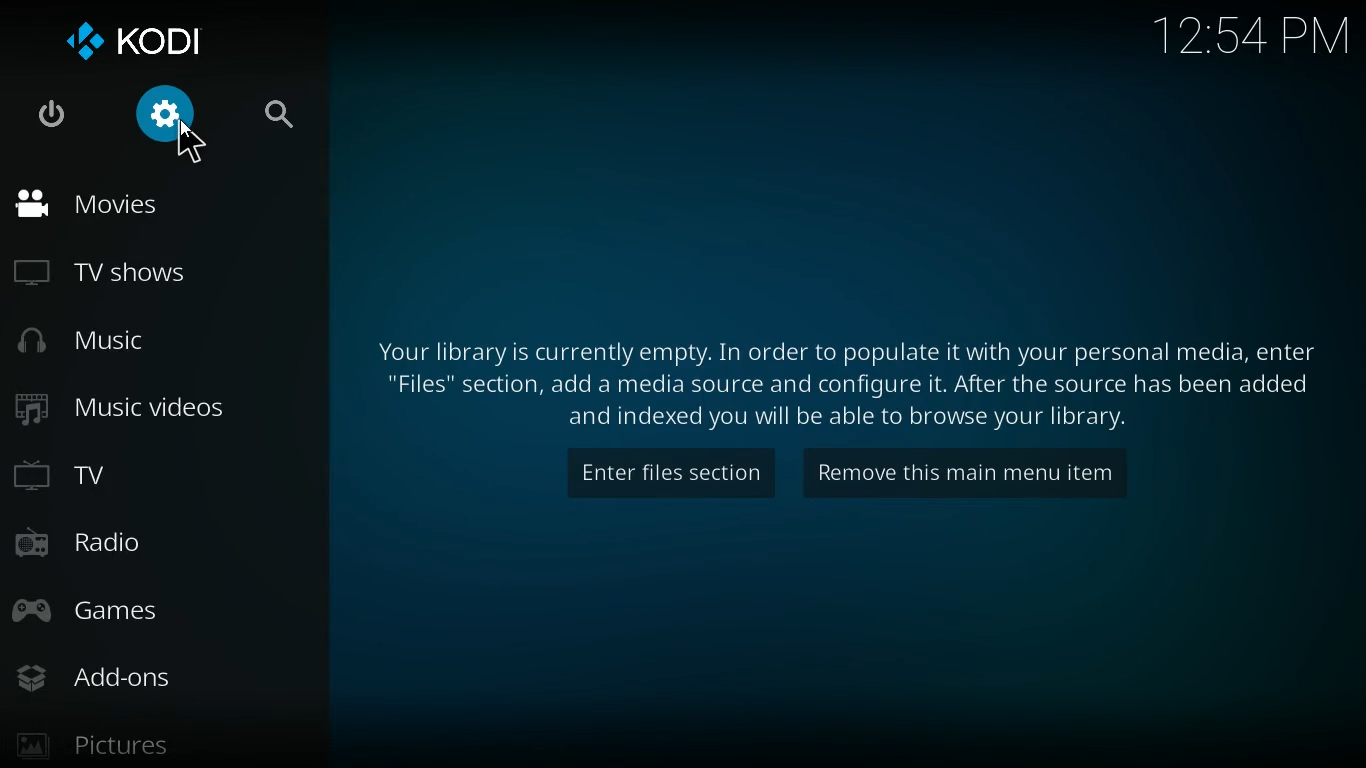  Describe the element at coordinates (56, 116) in the screenshot. I see `power logo` at that location.